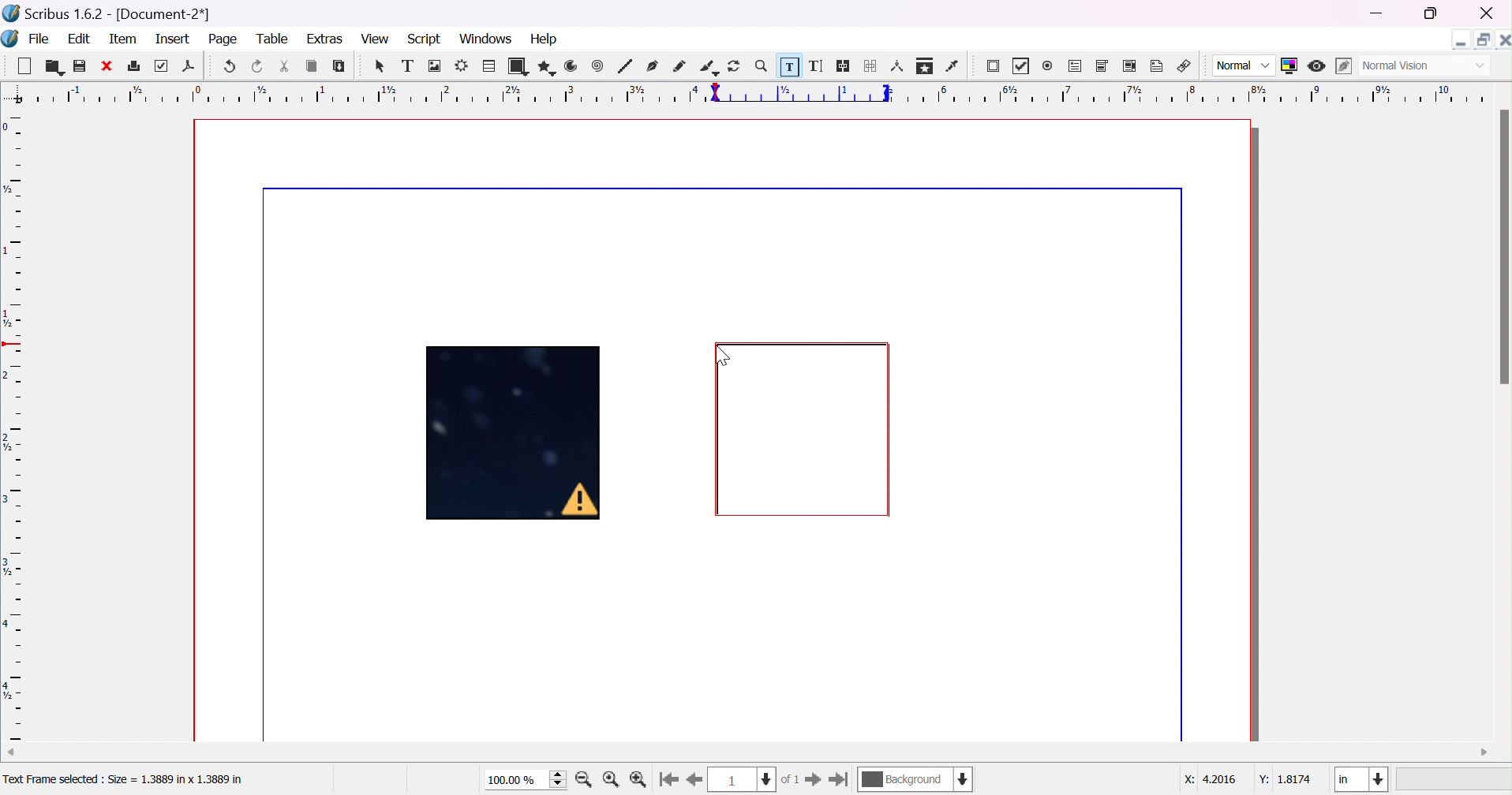 Image resolution: width=1512 pixels, height=795 pixels. Describe the element at coordinates (1503, 247) in the screenshot. I see `scroll bar` at that location.